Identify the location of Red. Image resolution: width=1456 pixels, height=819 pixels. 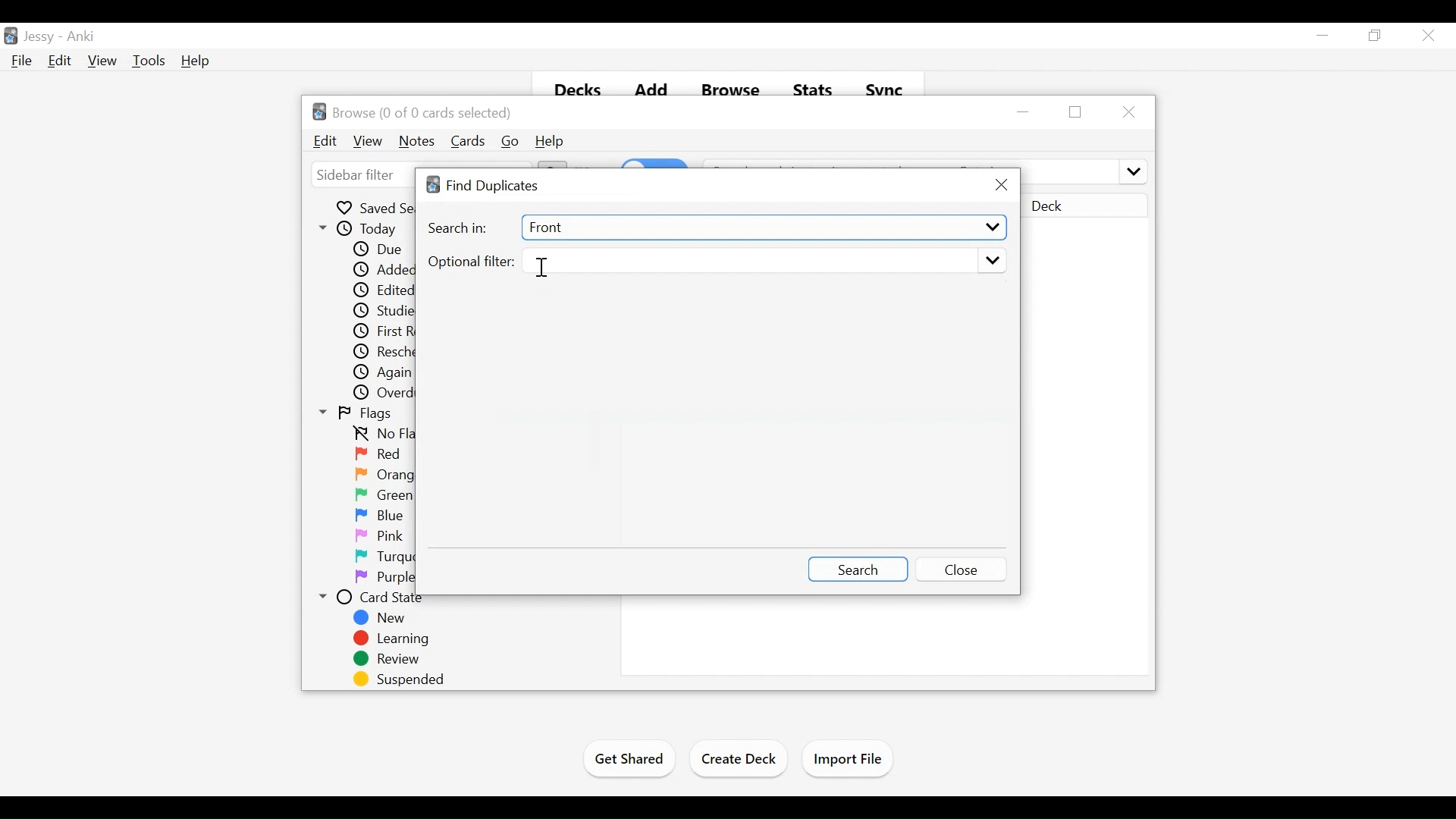
(380, 455).